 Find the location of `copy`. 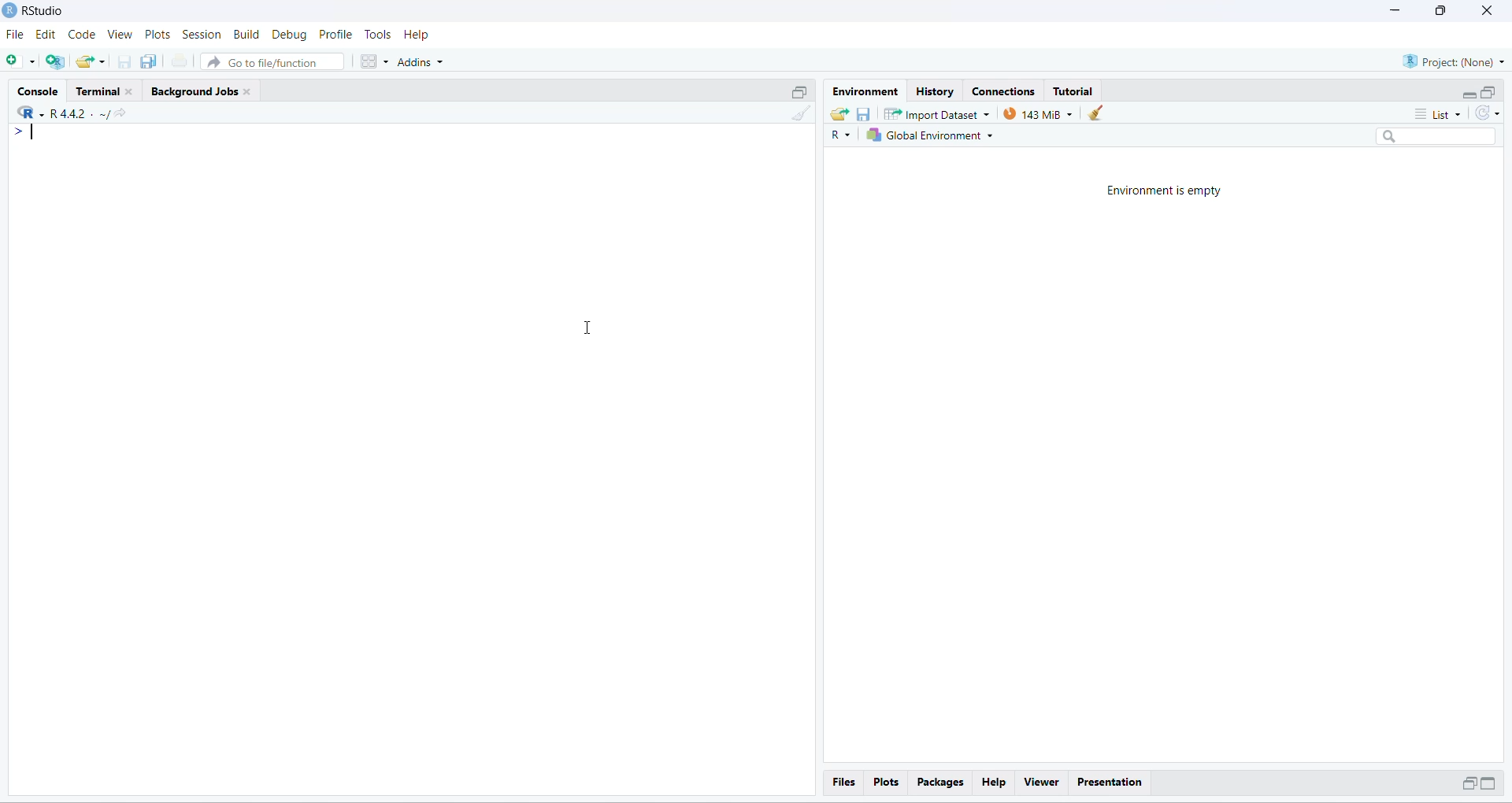

copy is located at coordinates (150, 61).